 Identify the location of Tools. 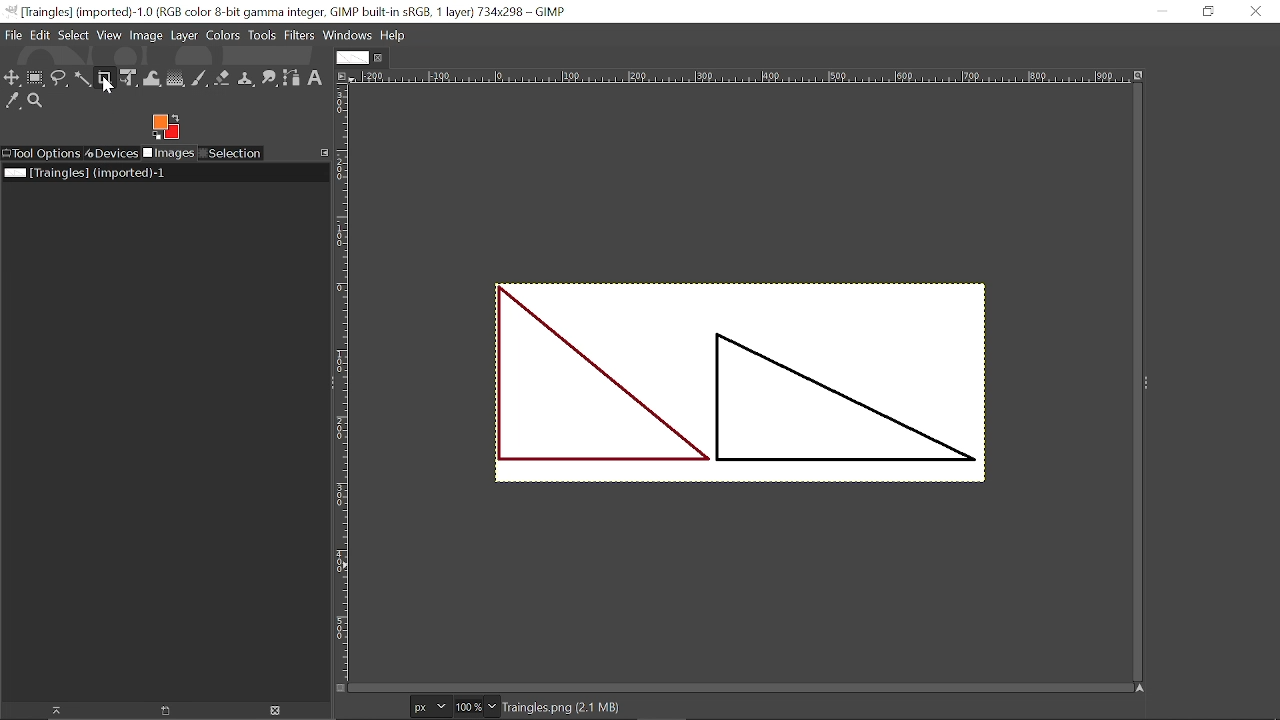
(262, 36).